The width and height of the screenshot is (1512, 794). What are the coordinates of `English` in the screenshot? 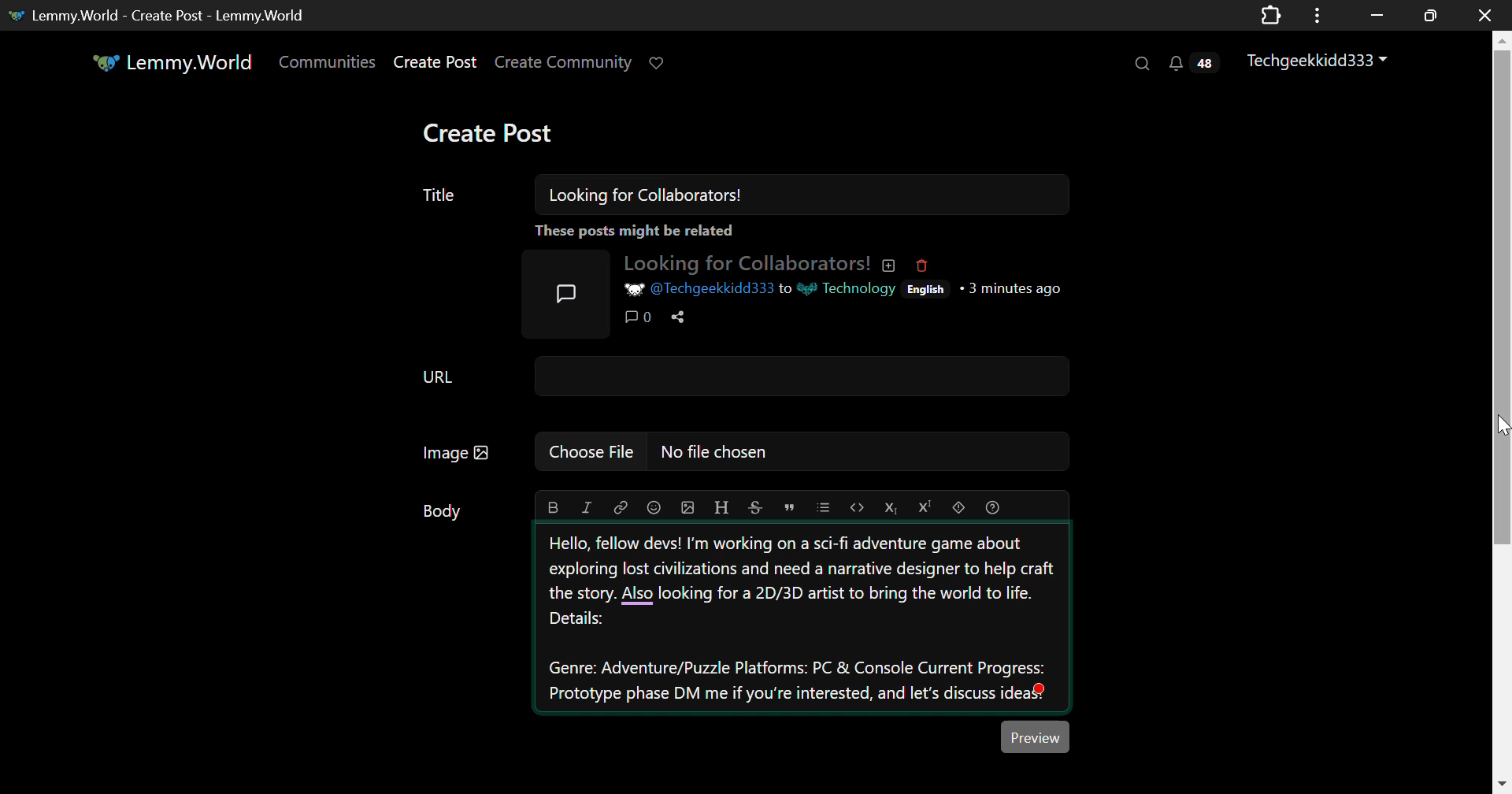 It's located at (926, 289).